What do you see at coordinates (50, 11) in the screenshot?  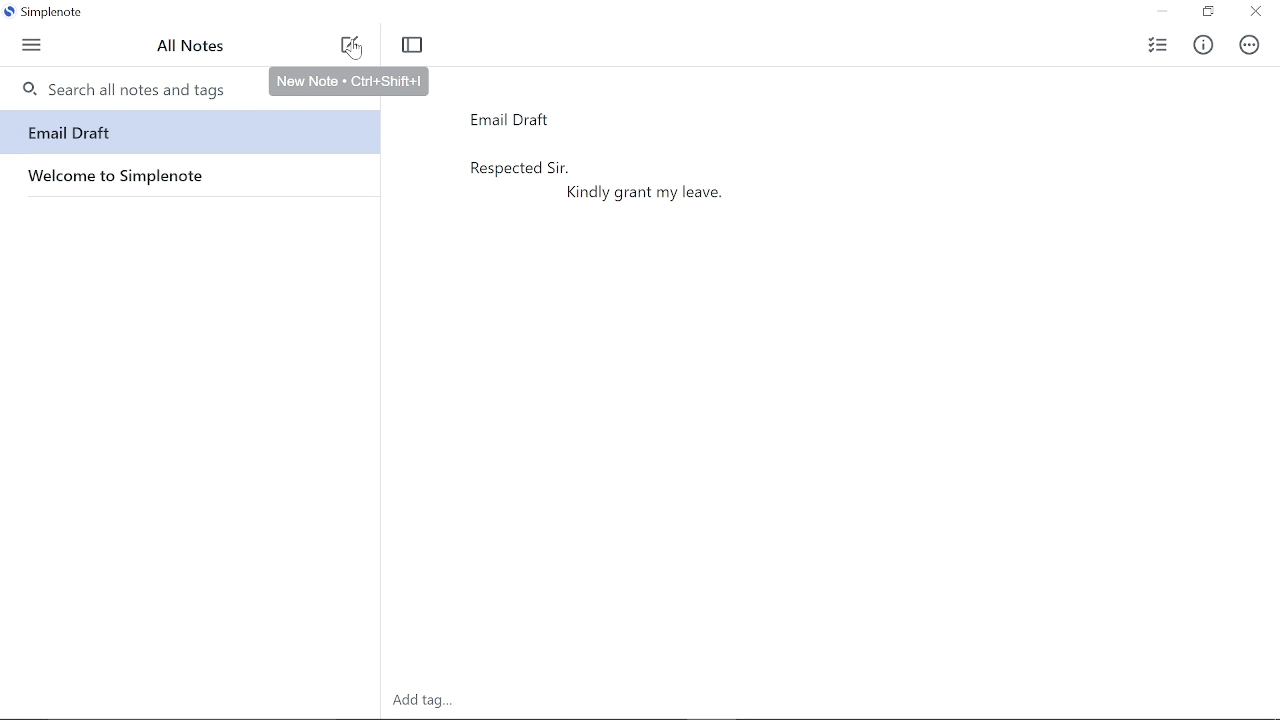 I see `Simplenote` at bounding box center [50, 11].